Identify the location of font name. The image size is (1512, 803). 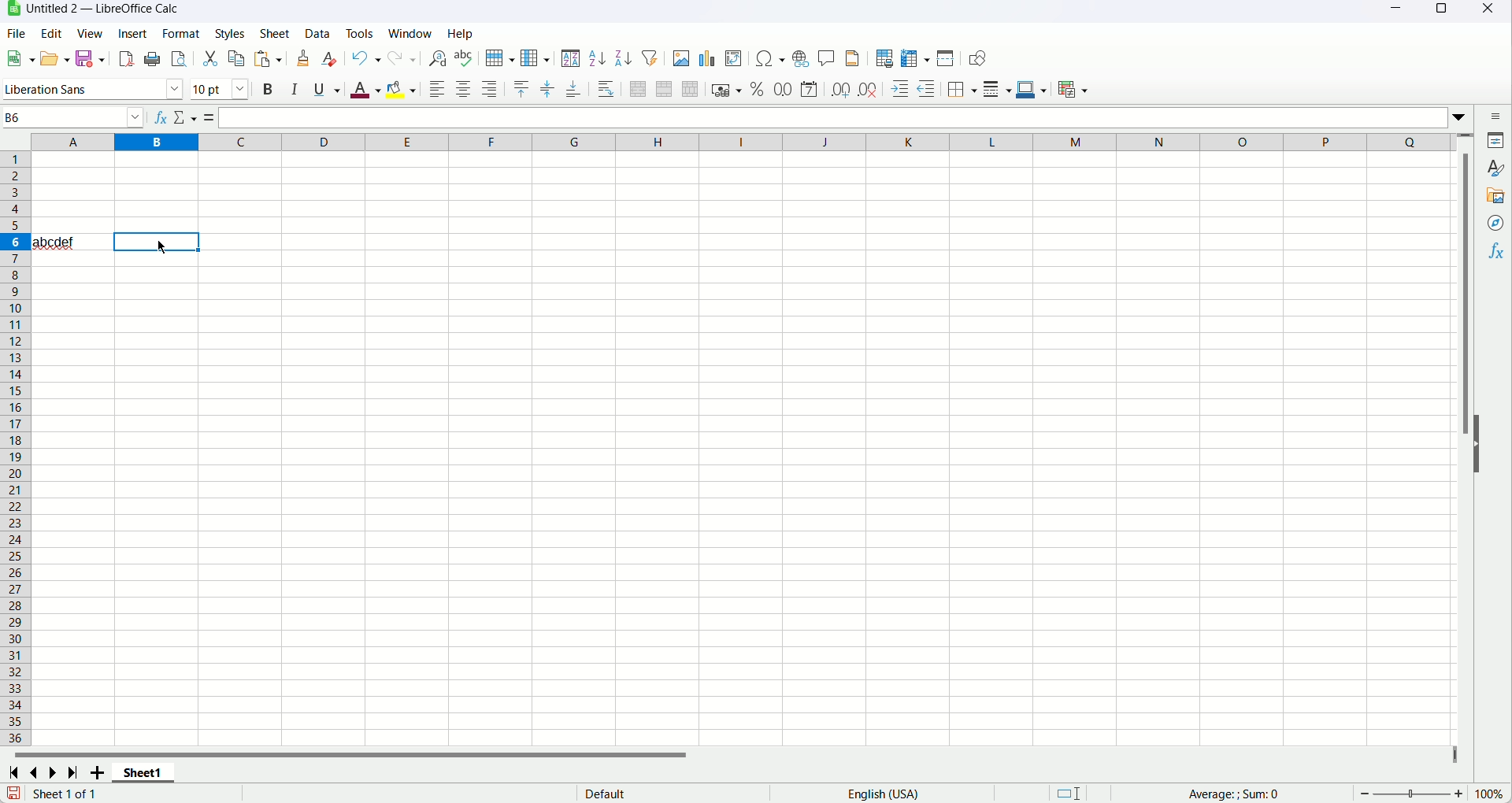
(91, 88).